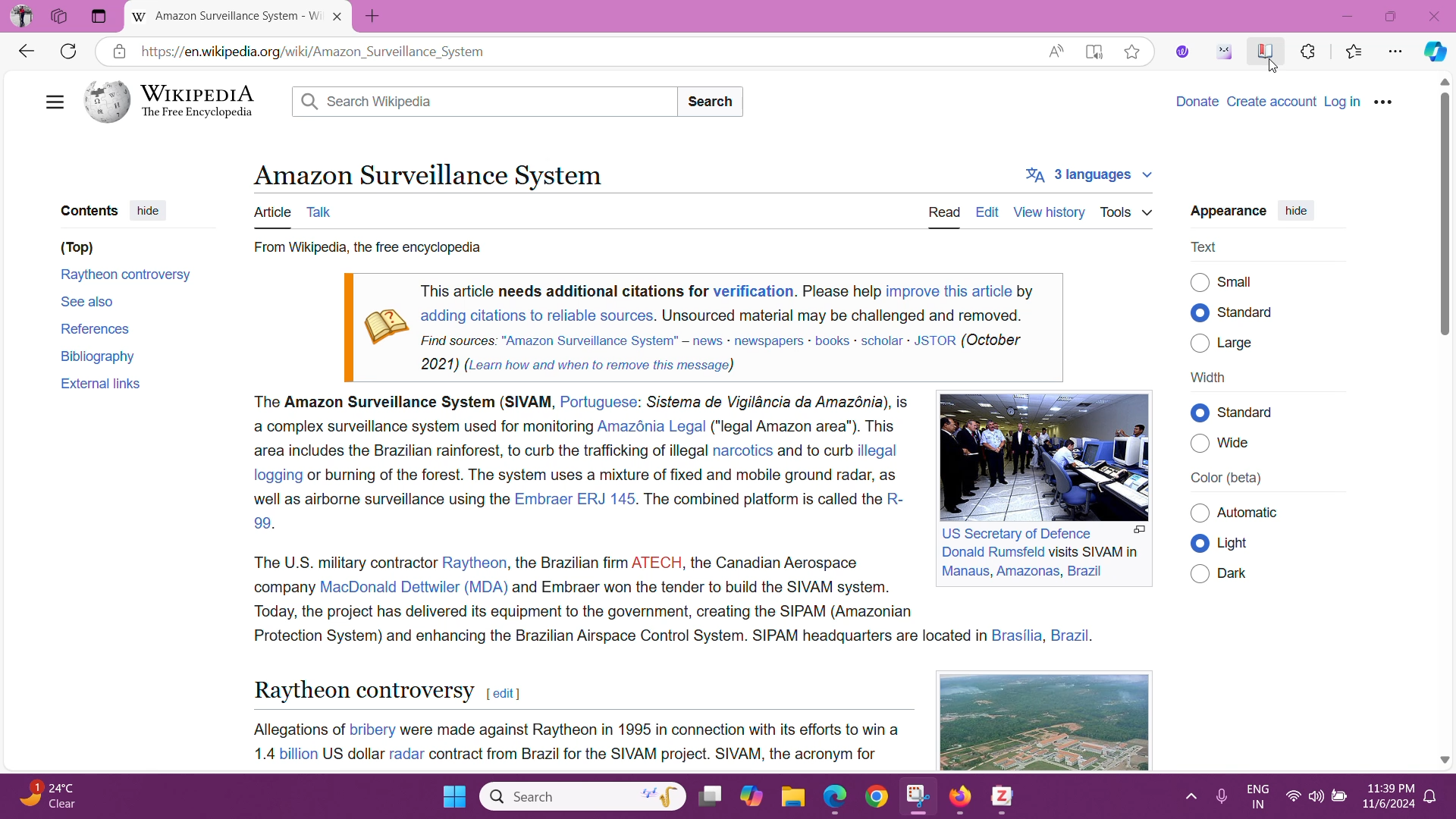 This screenshot has height=819, width=1456. I want to click on Refresh, so click(67, 52).